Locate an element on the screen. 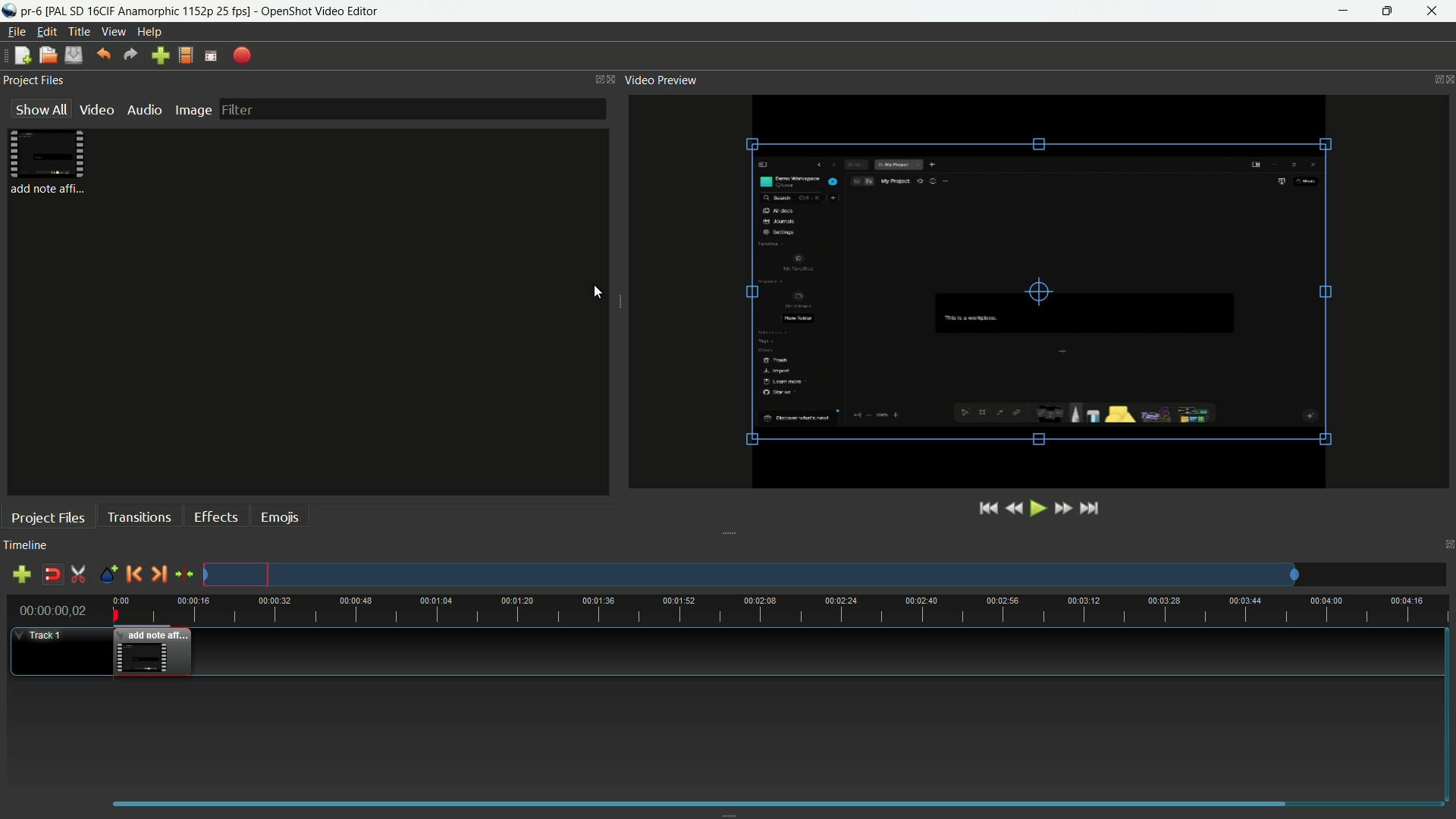  add track is located at coordinates (22, 575).